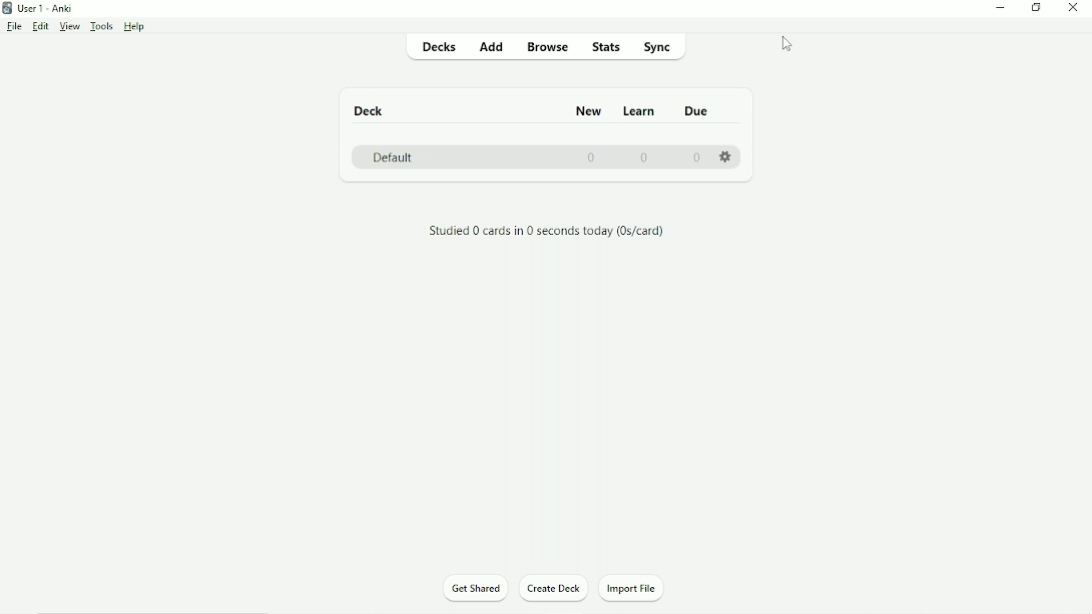 The width and height of the screenshot is (1092, 614). What do you see at coordinates (728, 156) in the screenshot?
I see `Settings` at bounding box center [728, 156].